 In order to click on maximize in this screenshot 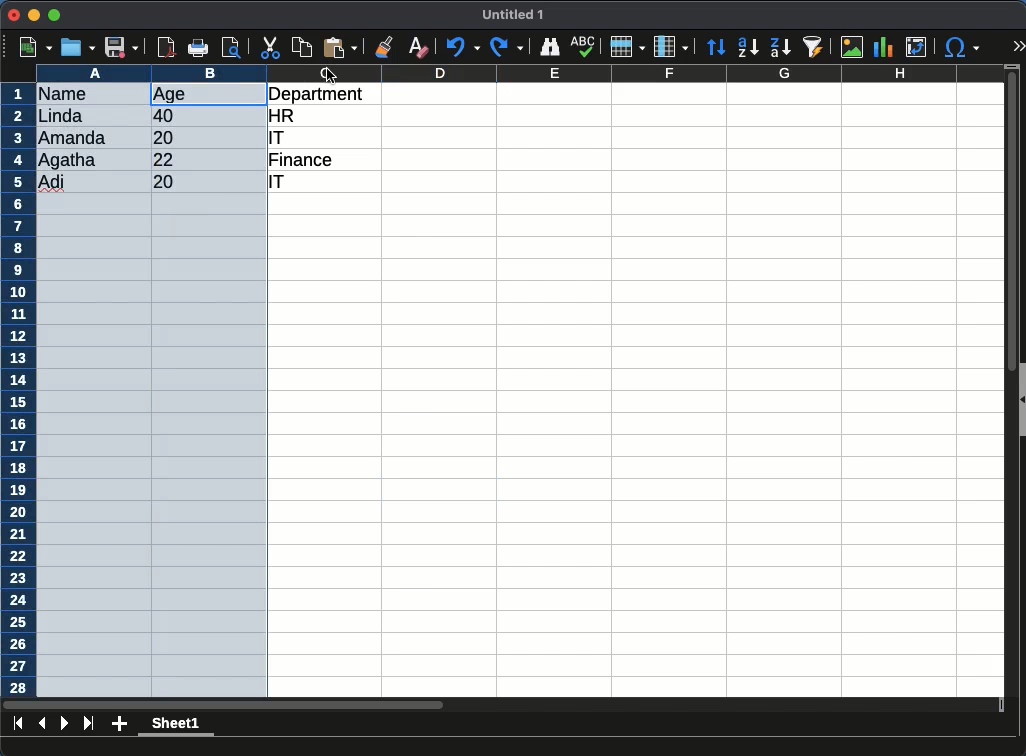, I will do `click(56, 14)`.